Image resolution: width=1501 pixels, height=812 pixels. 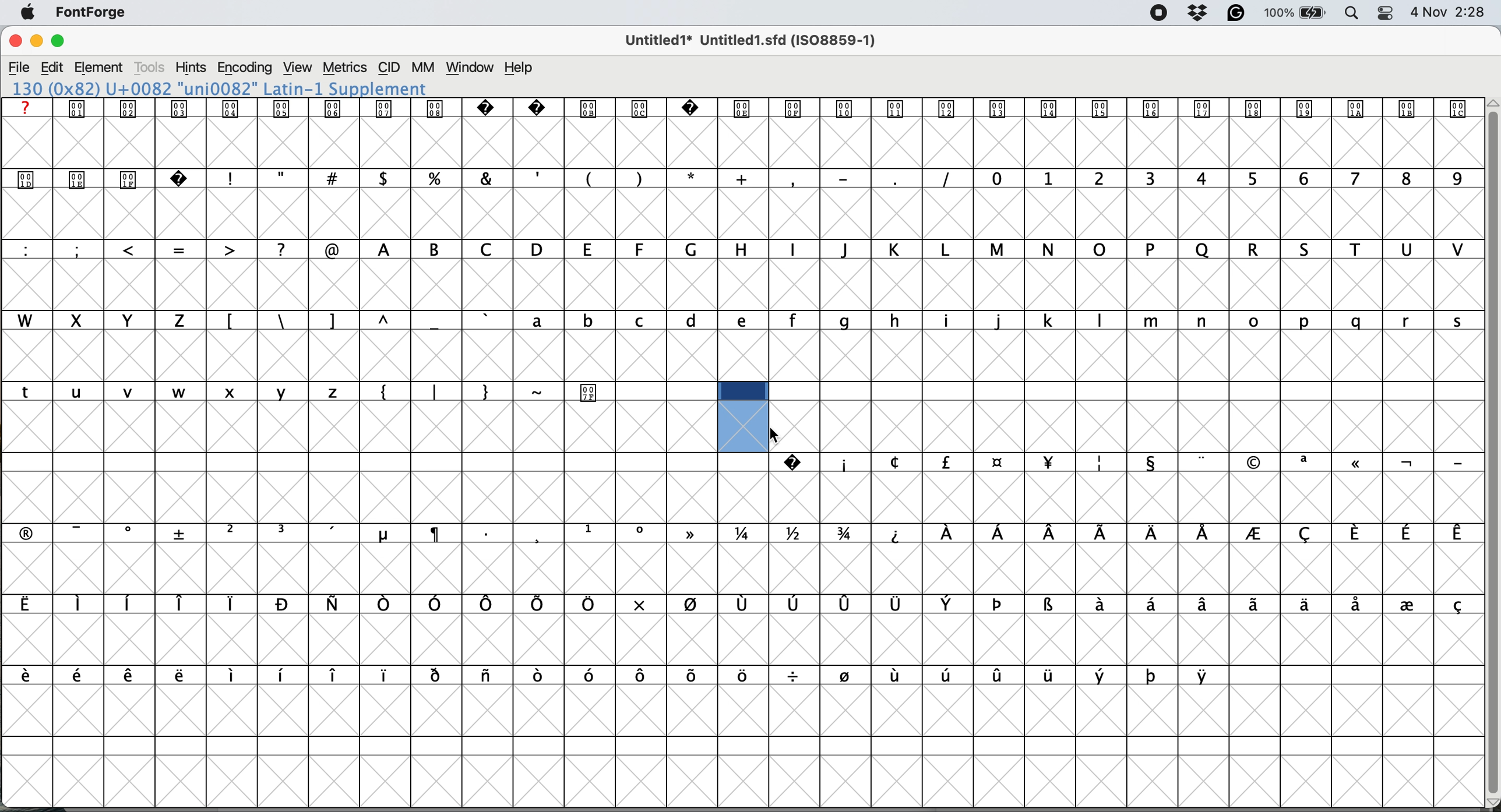 What do you see at coordinates (461, 391) in the screenshot?
I see `special characters` at bounding box center [461, 391].